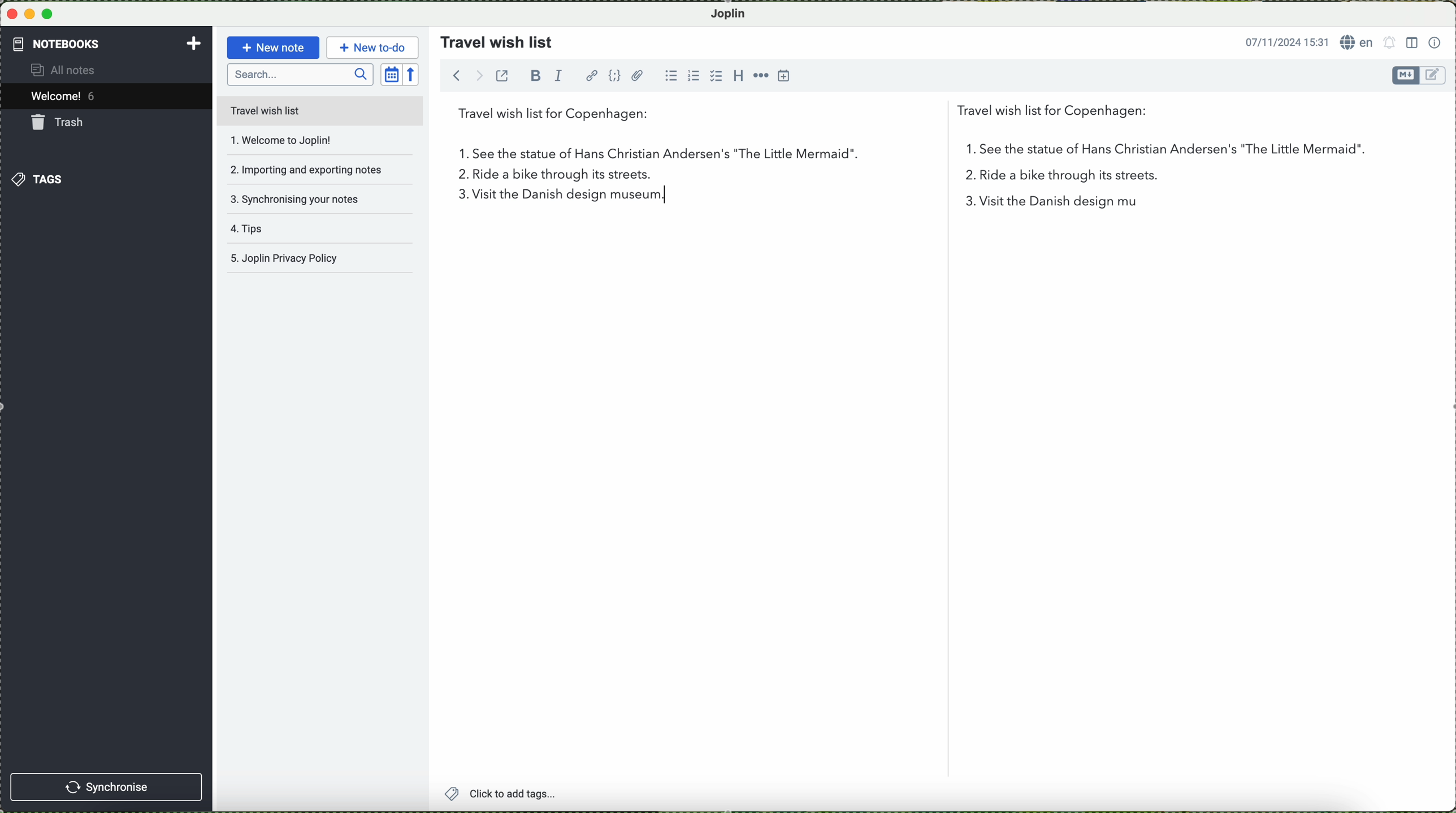 Image resolution: width=1456 pixels, height=813 pixels. What do you see at coordinates (638, 75) in the screenshot?
I see `attach file` at bounding box center [638, 75].